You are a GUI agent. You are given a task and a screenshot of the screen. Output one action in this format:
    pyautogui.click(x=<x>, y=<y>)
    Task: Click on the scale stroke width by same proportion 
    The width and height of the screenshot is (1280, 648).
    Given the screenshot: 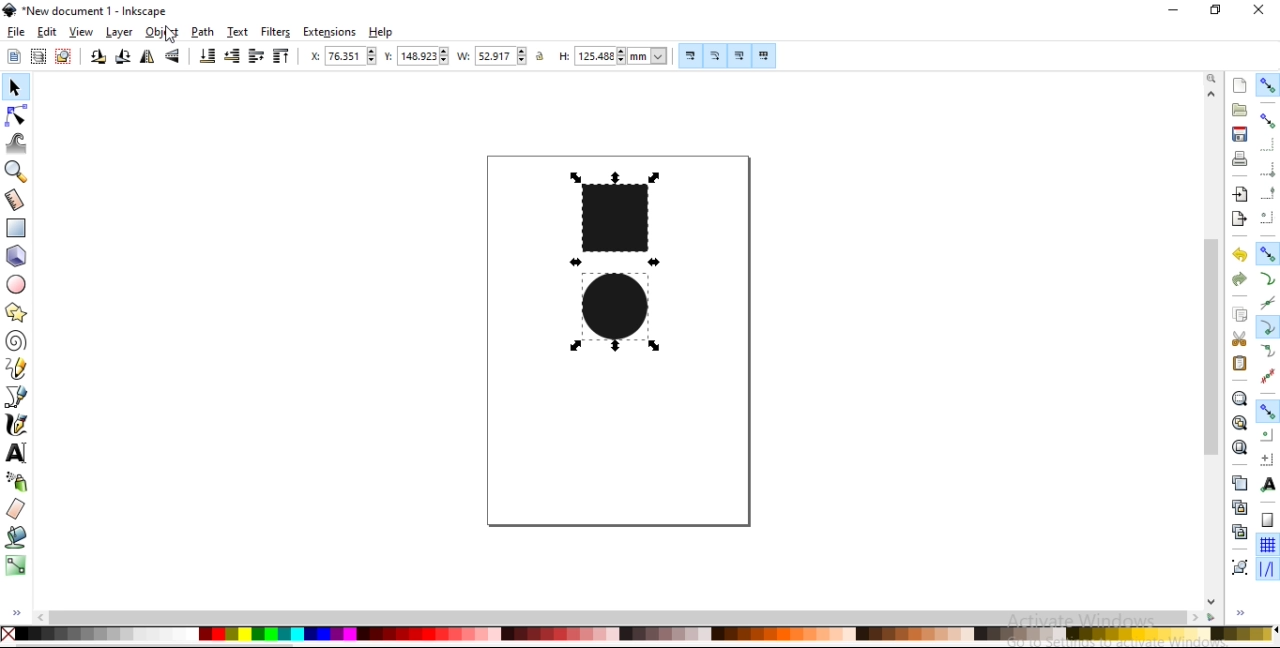 What is the action you would take?
    pyautogui.click(x=690, y=56)
    